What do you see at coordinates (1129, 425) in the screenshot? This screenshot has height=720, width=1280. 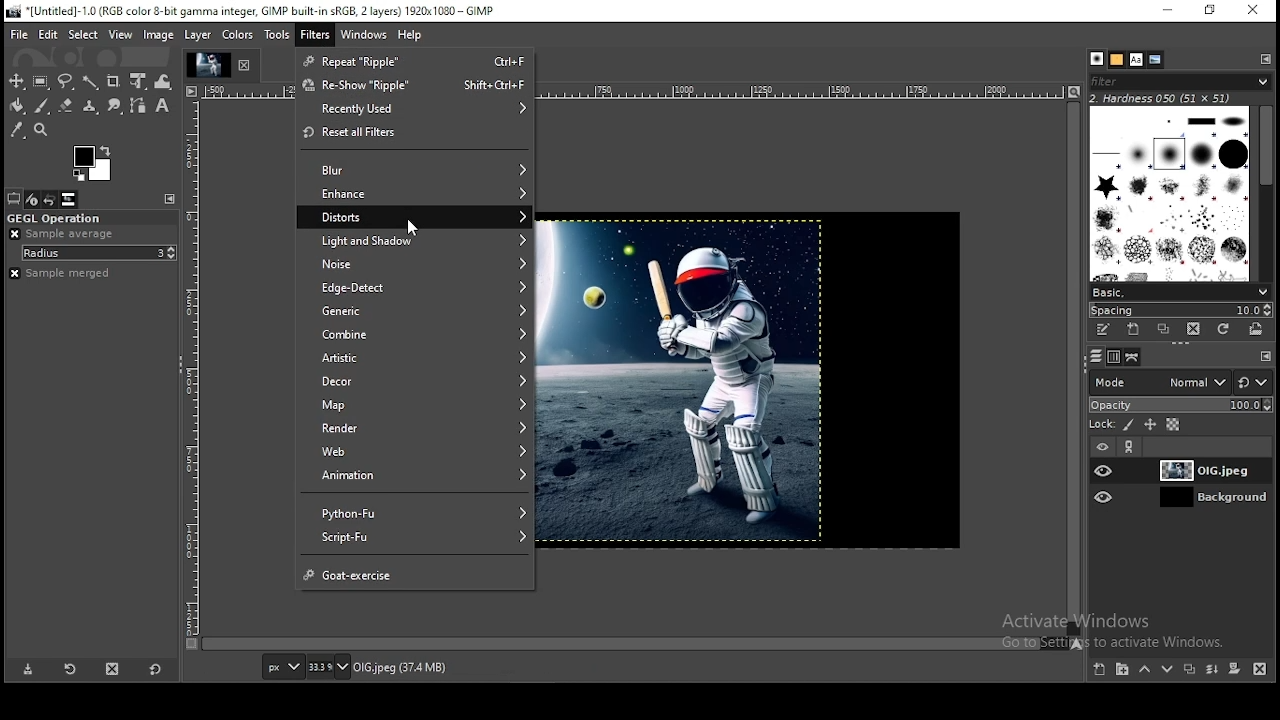 I see `lock pixel` at bounding box center [1129, 425].